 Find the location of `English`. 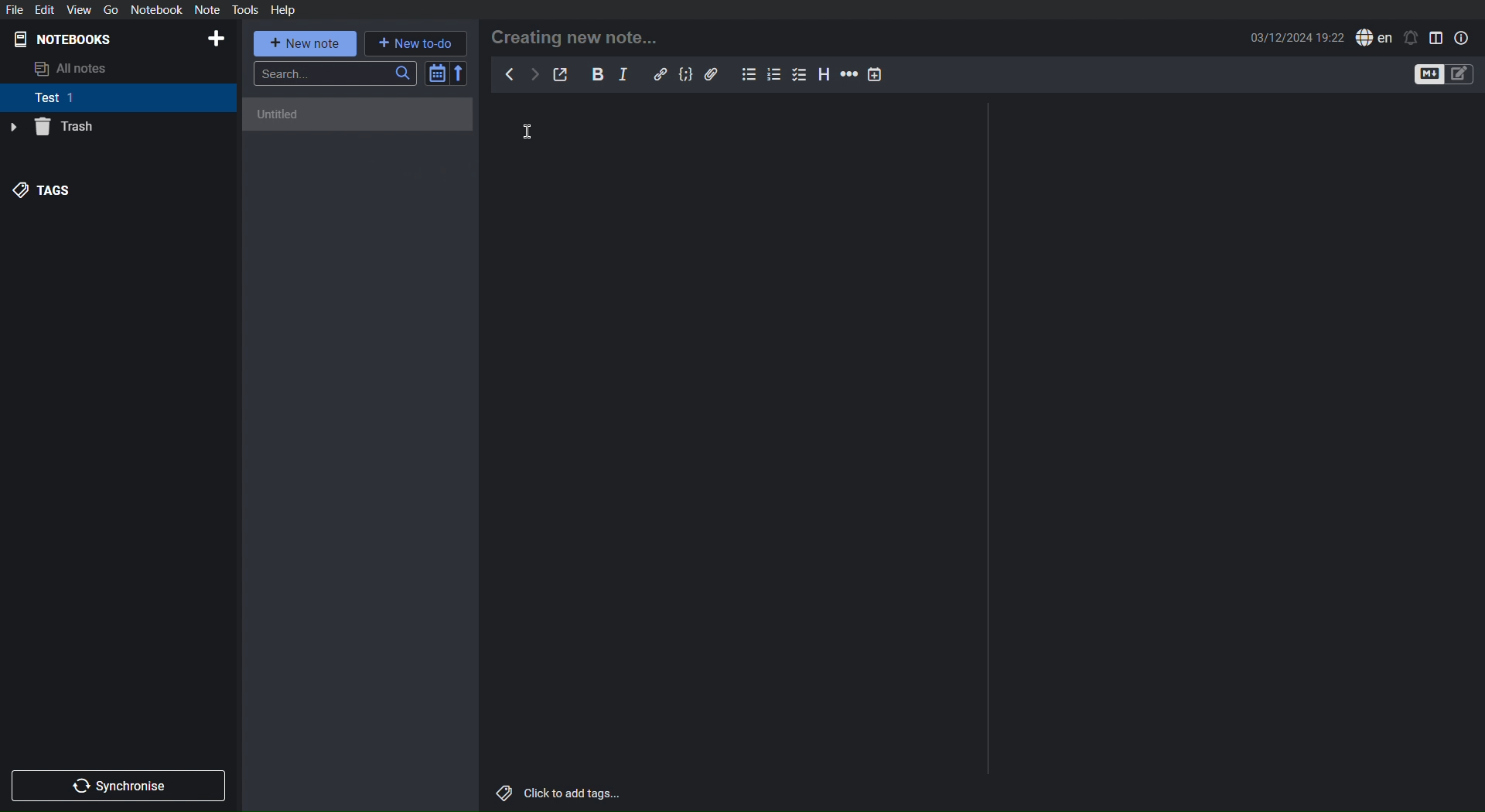

English is located at coordinates (1374, 38).